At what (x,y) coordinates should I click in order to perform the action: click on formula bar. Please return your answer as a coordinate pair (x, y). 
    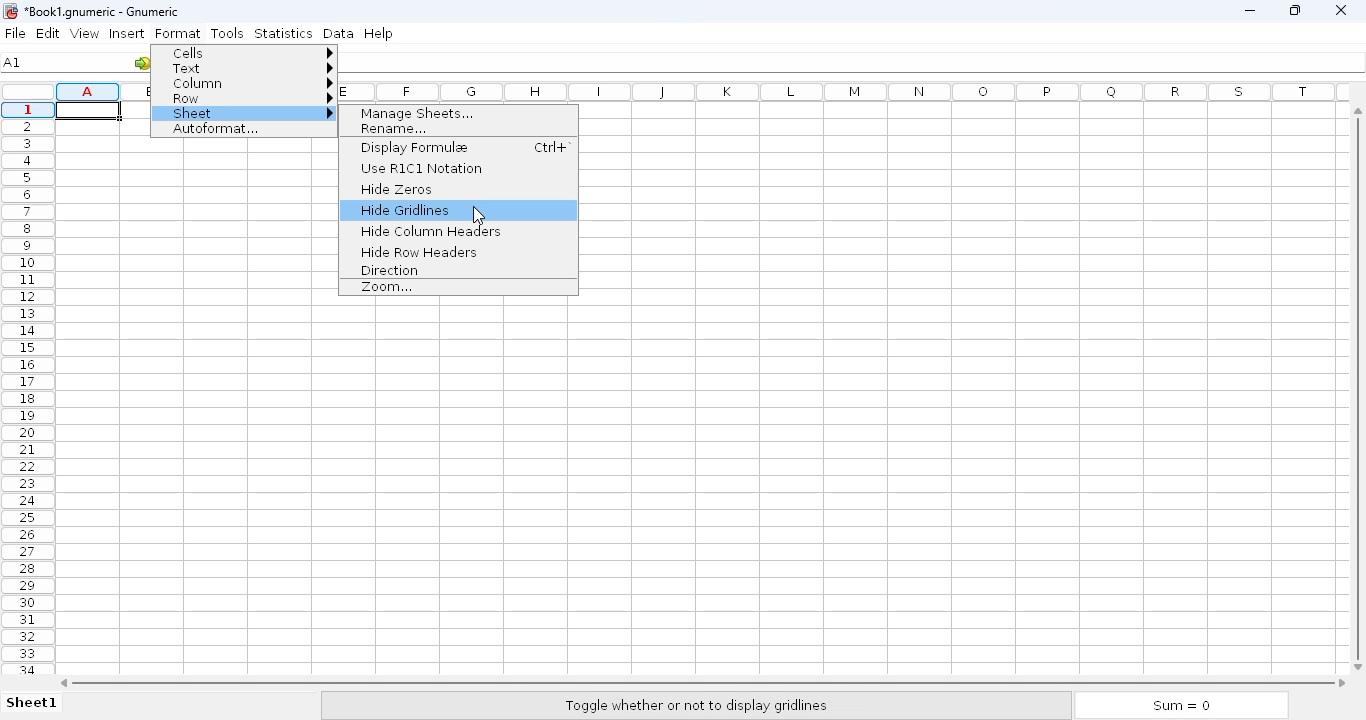
    Looking at the image, I should click on (854, 65).